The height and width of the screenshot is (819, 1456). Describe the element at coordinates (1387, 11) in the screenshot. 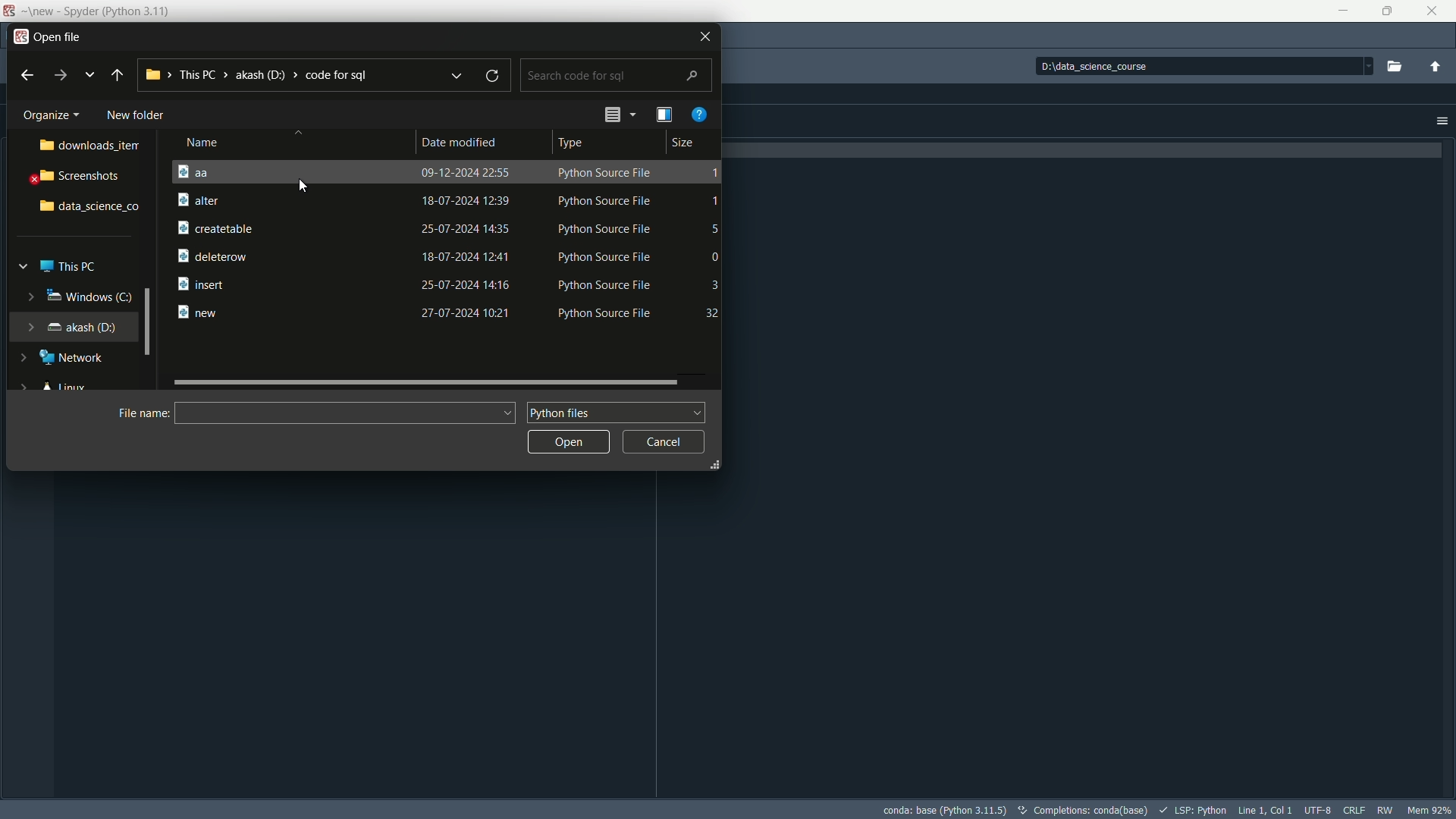

I see `maximize` at that location.